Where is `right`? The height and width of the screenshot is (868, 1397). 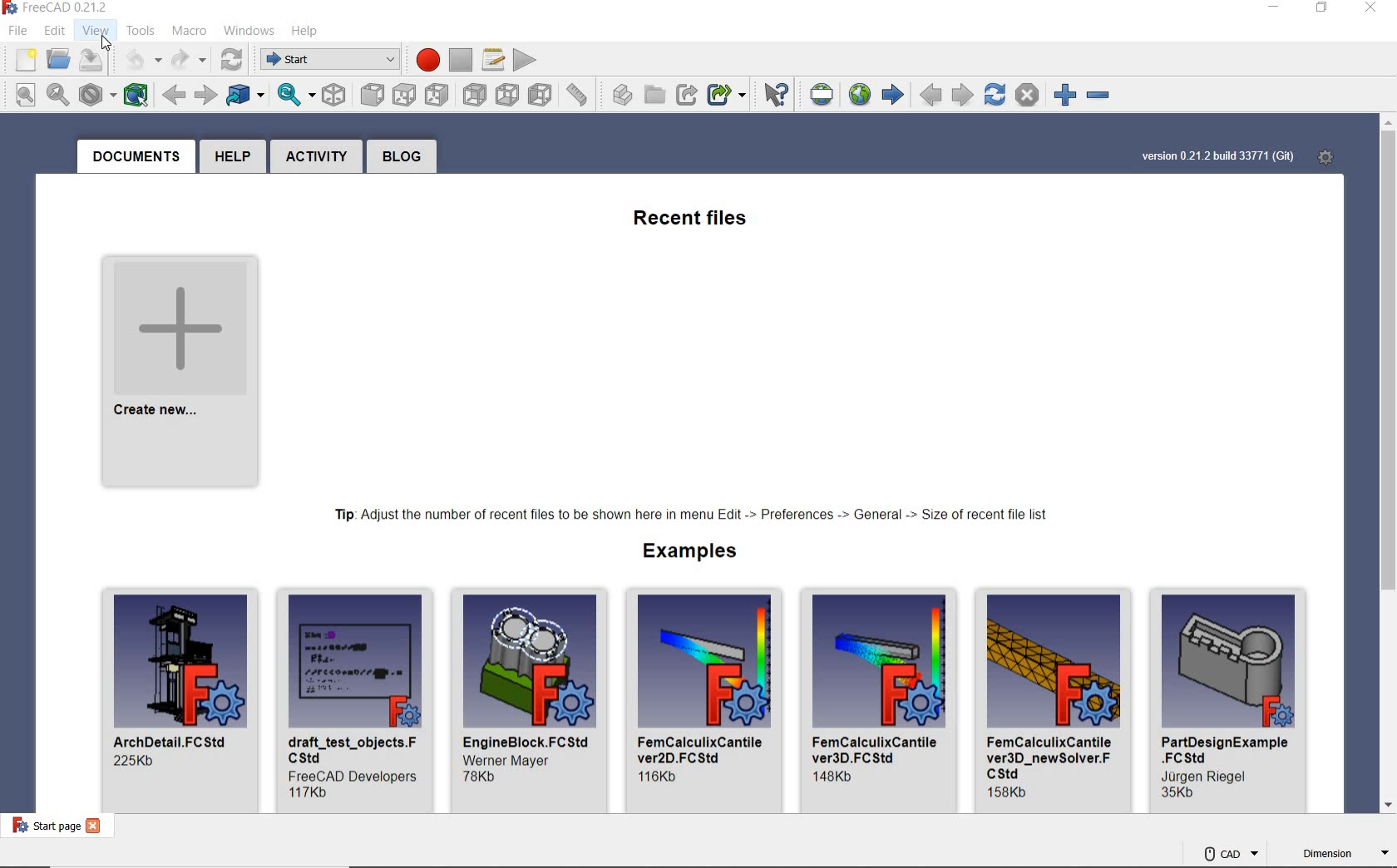
right is located at coordinates (438, 95).